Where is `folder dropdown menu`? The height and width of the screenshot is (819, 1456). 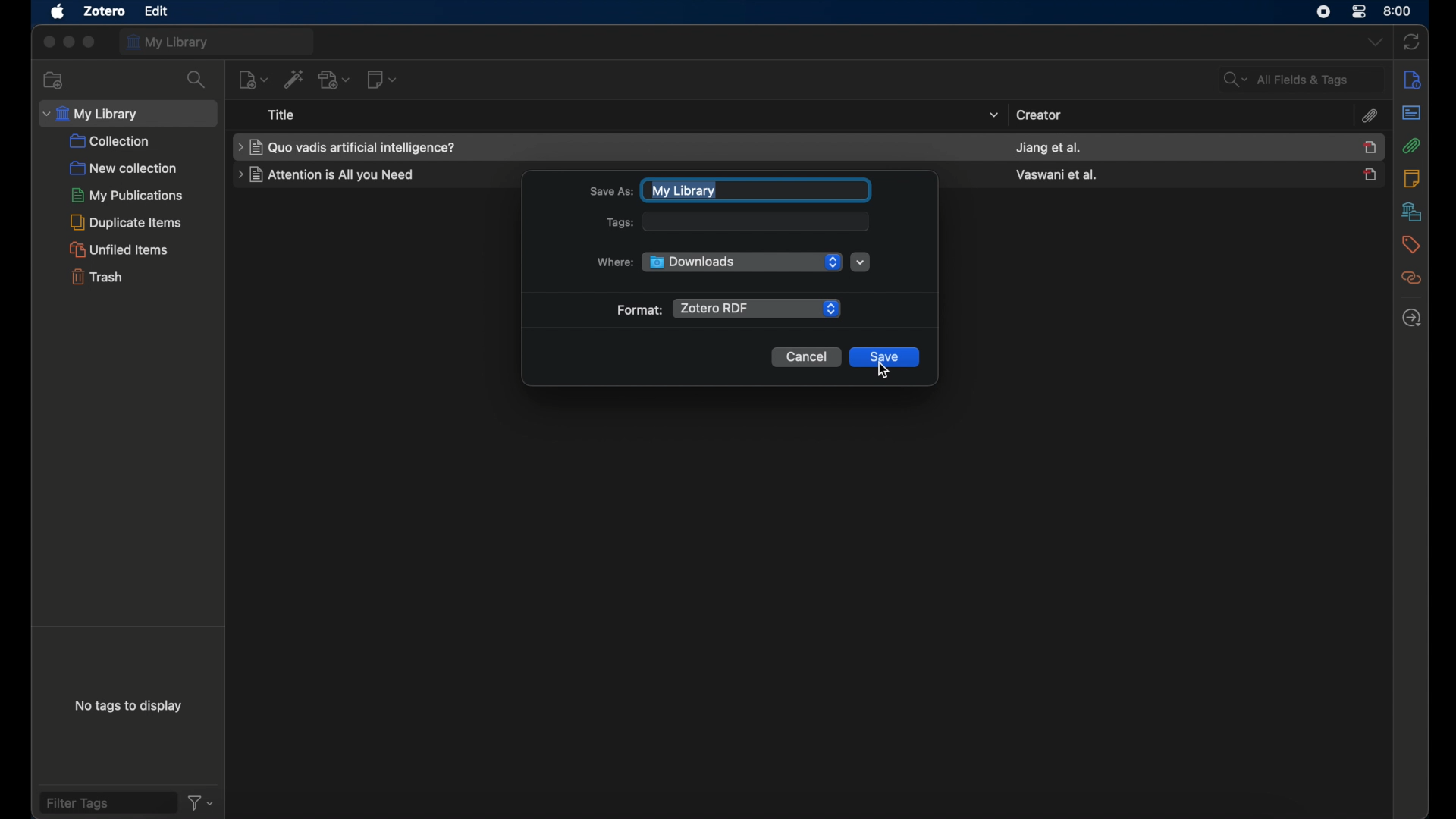 folder dropdown menu is located at coordinates (833, 261).